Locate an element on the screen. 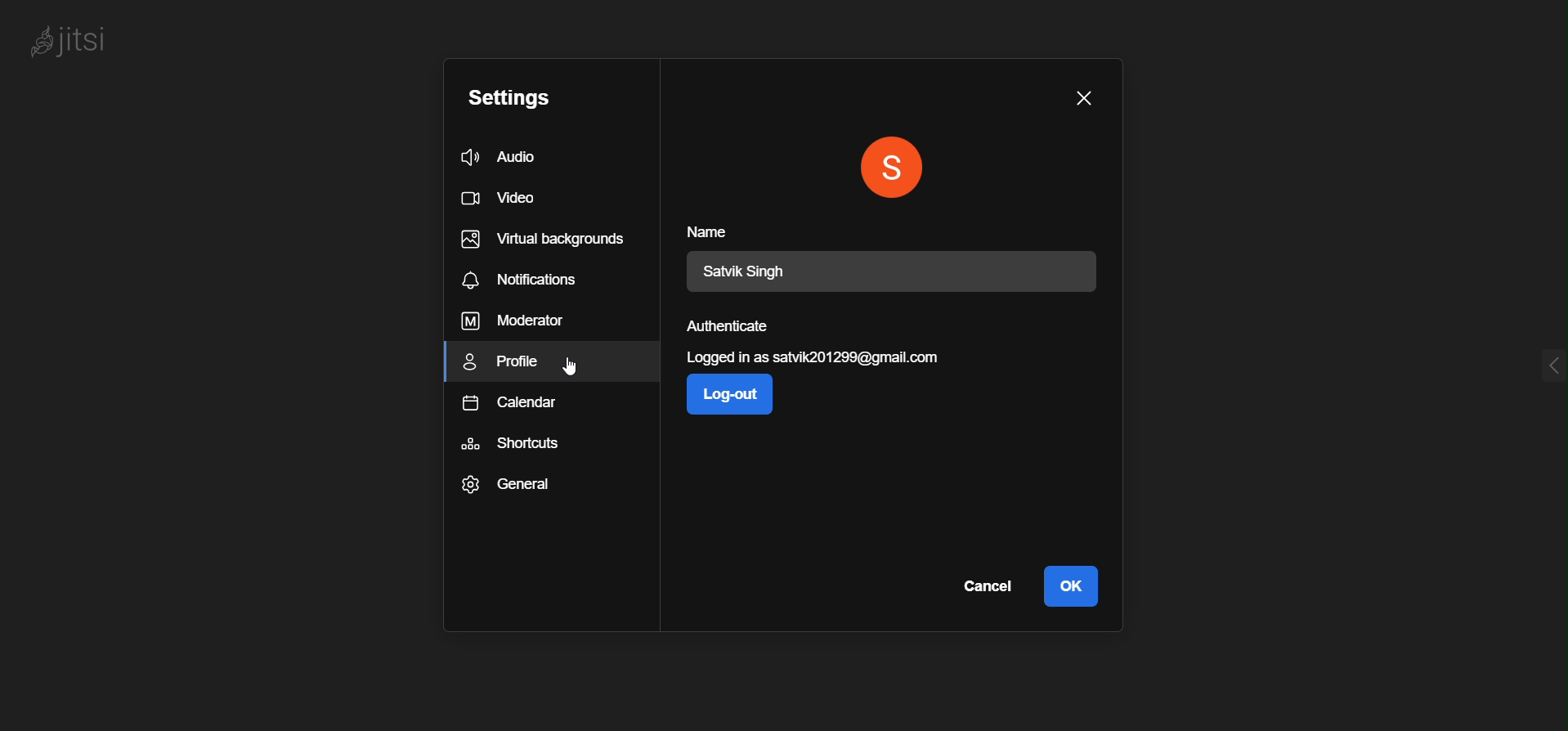 The width and height of the screenshot is (1568, 731). user name is located at coordinates (755, 271).